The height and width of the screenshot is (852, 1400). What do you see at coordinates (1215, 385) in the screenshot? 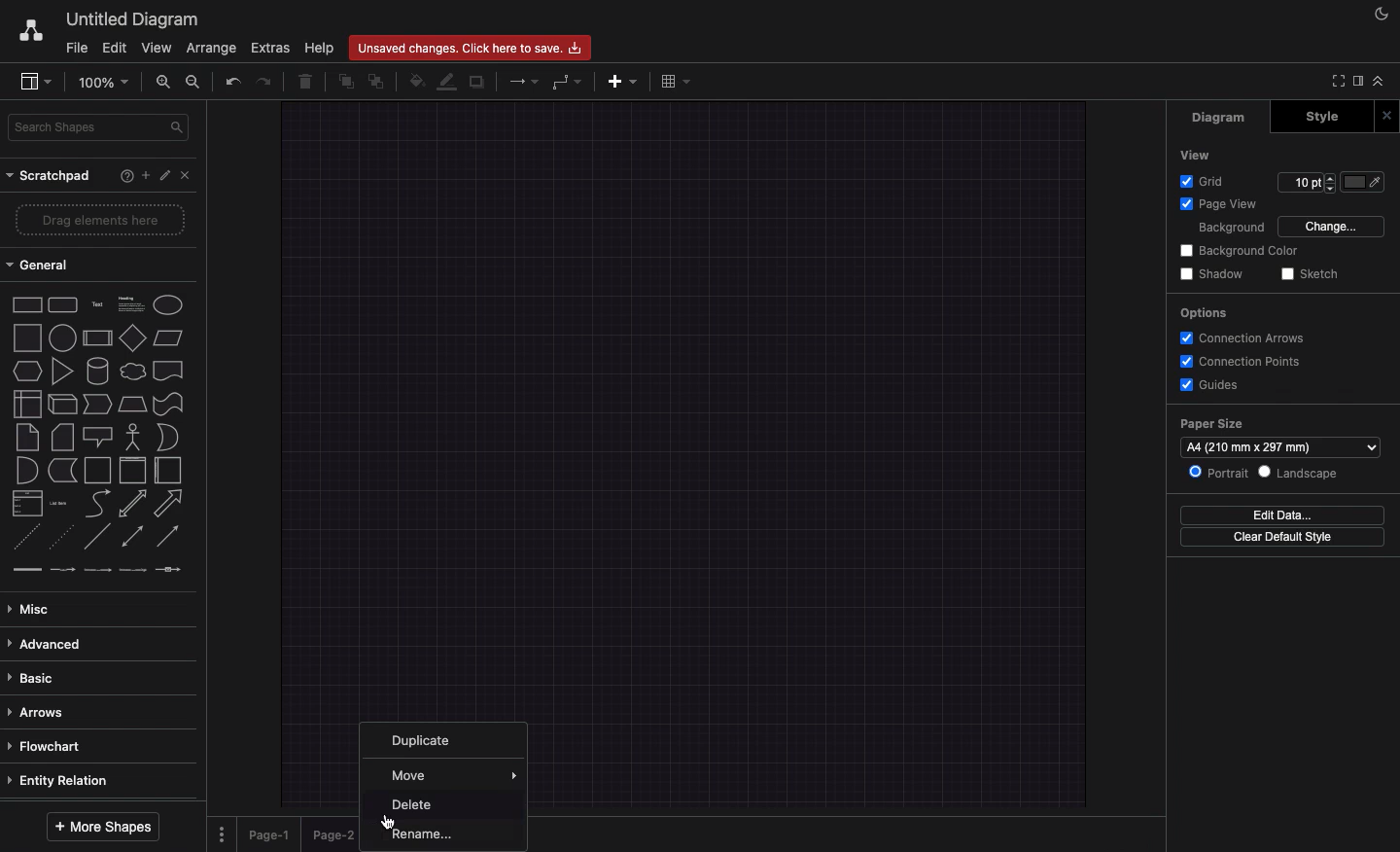
I see `Guides` at bounding box center [1215, 385].